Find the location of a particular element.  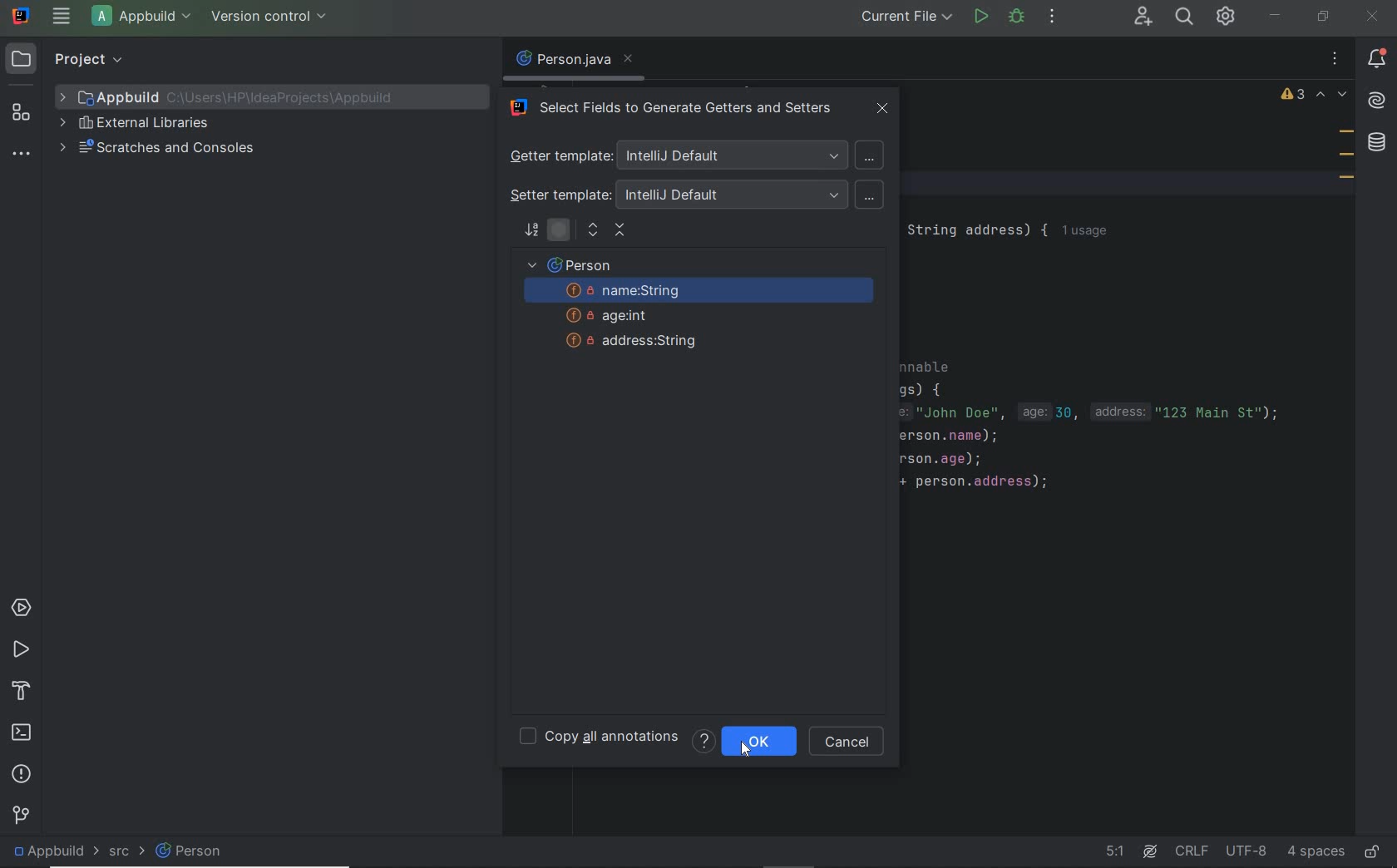

project is located at coordinates (70, 59).